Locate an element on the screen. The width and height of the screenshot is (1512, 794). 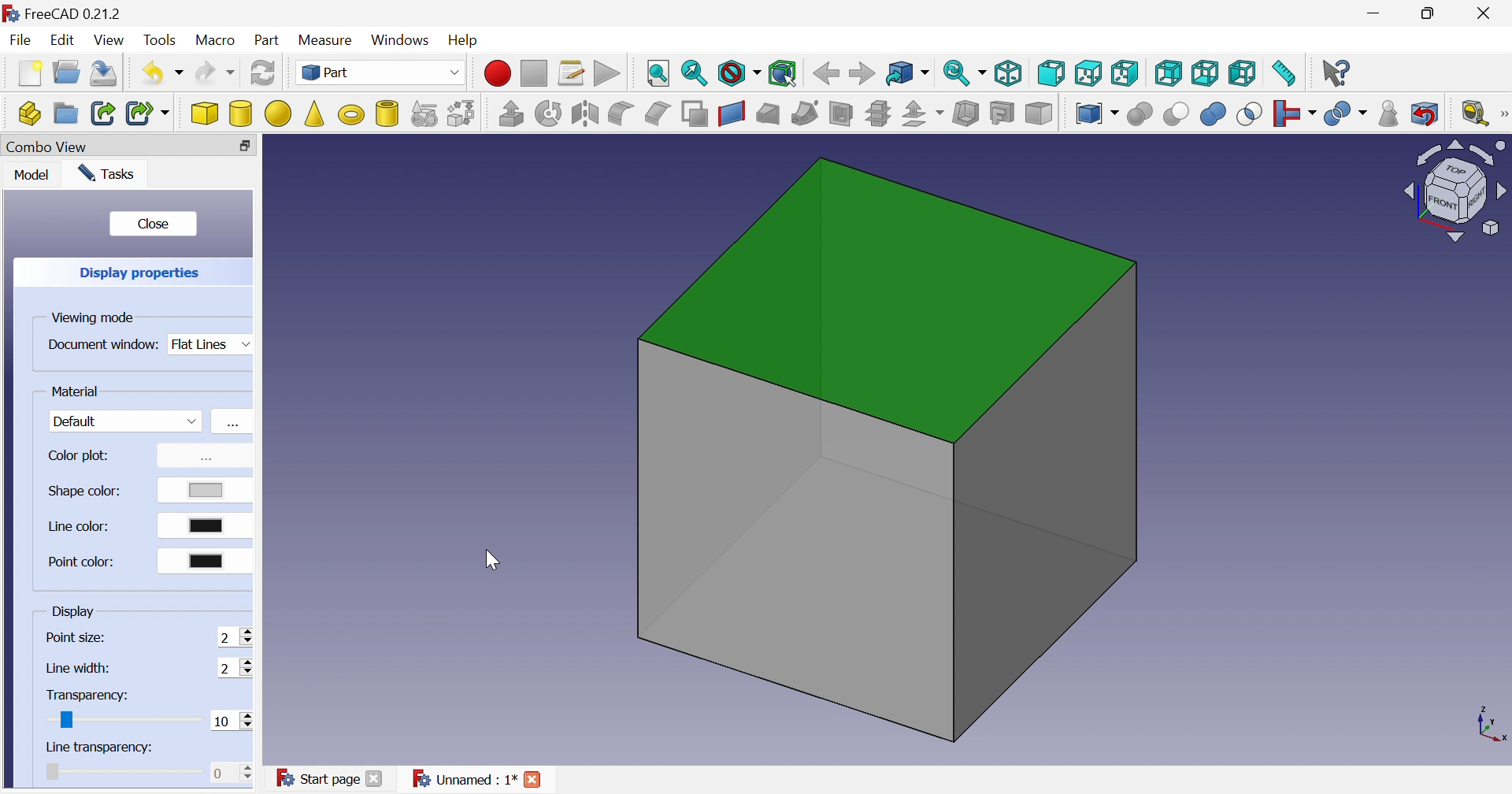
Close is located at coordinates (1486, 13).